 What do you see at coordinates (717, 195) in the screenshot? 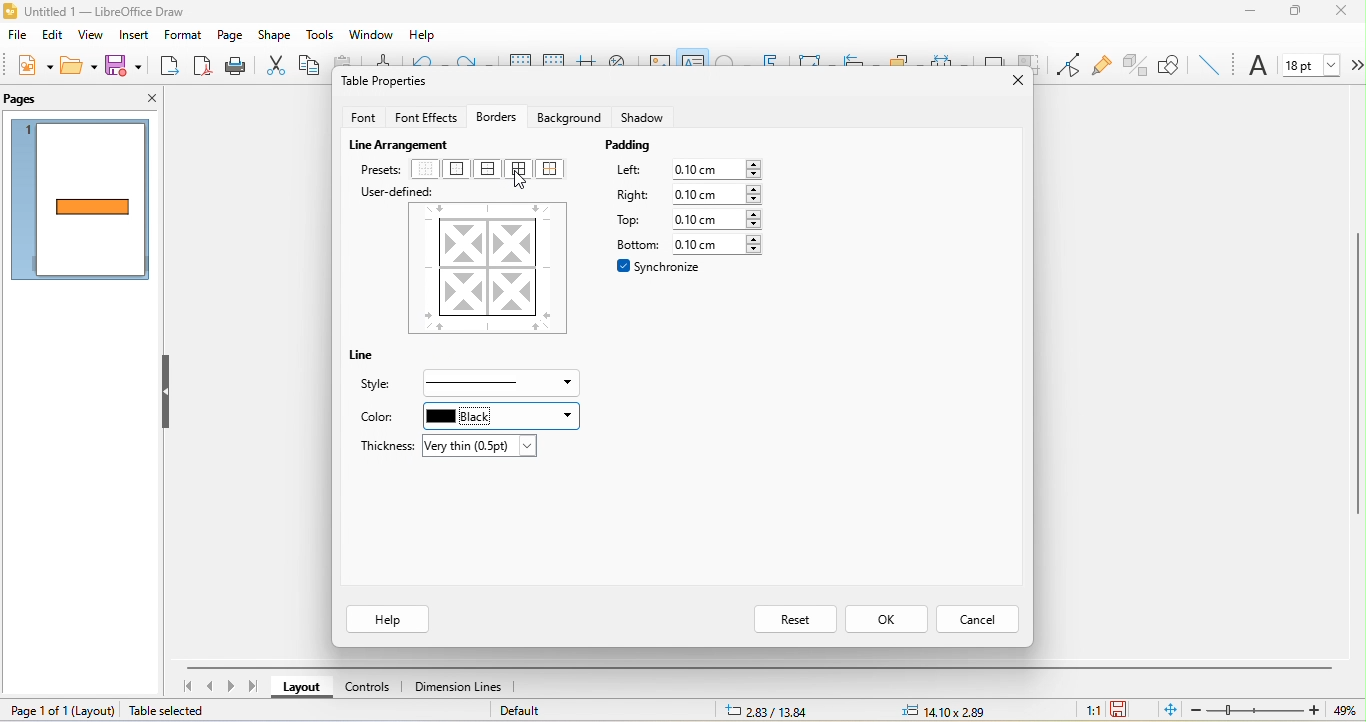
I see `0.10 cm` at bounding box center [717, 195].